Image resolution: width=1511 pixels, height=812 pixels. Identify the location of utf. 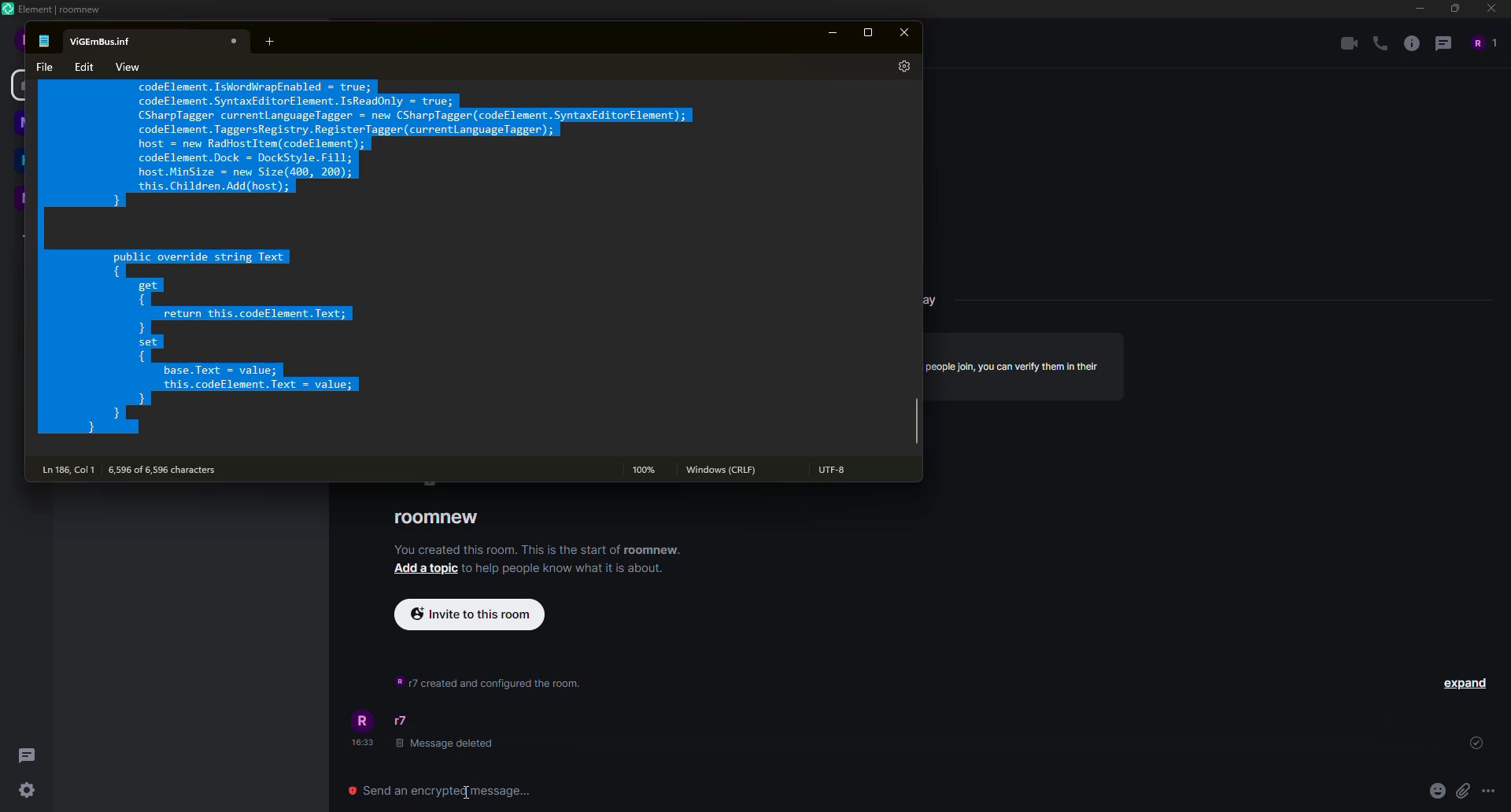
(837, 471).